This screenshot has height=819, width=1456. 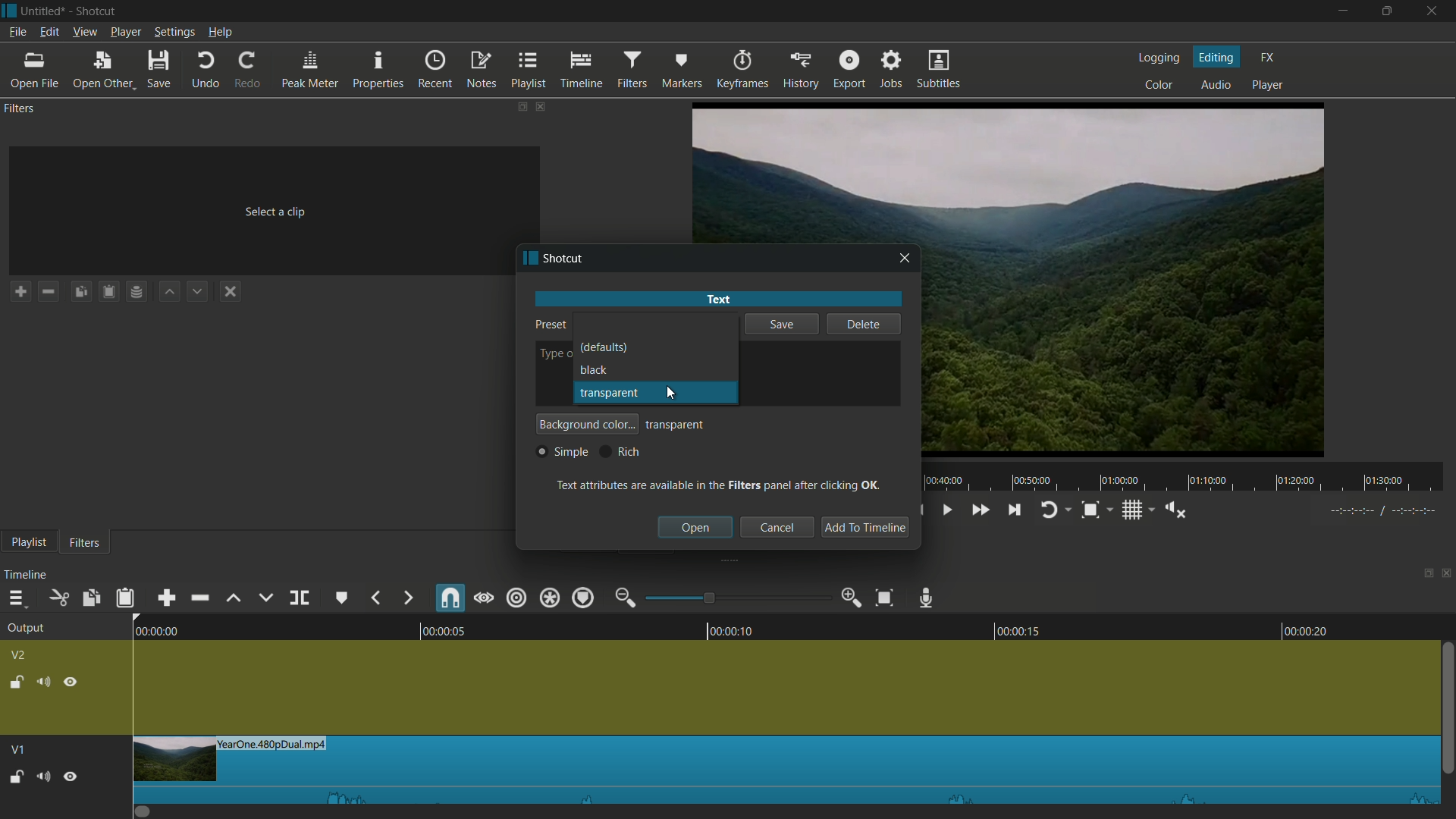 I want to click on settings menu, so click(x=174, y=32).